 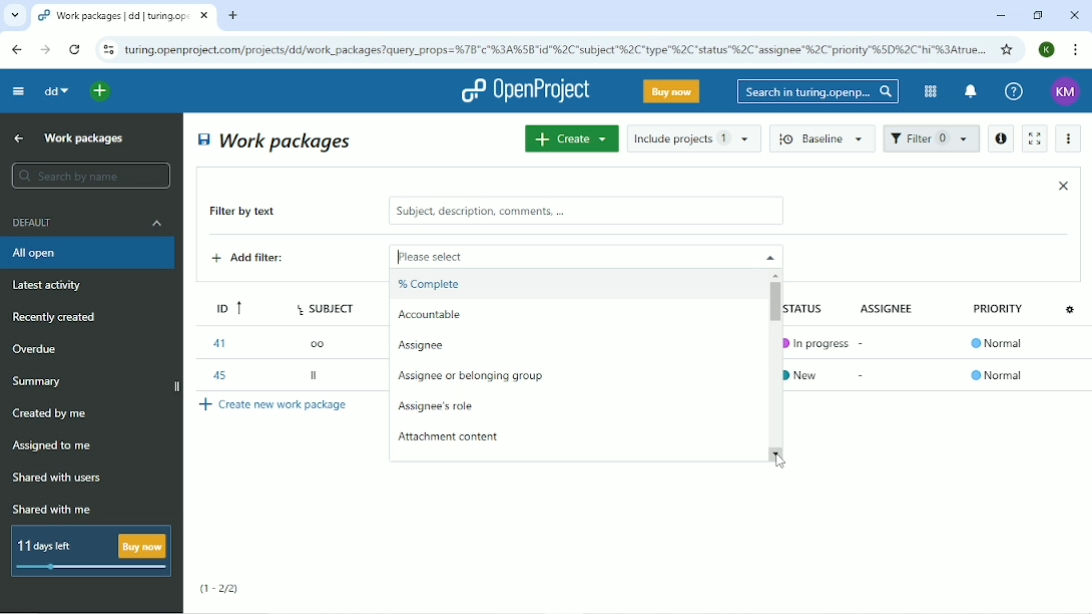 I want to click on Up, so click(x=16, y=139).